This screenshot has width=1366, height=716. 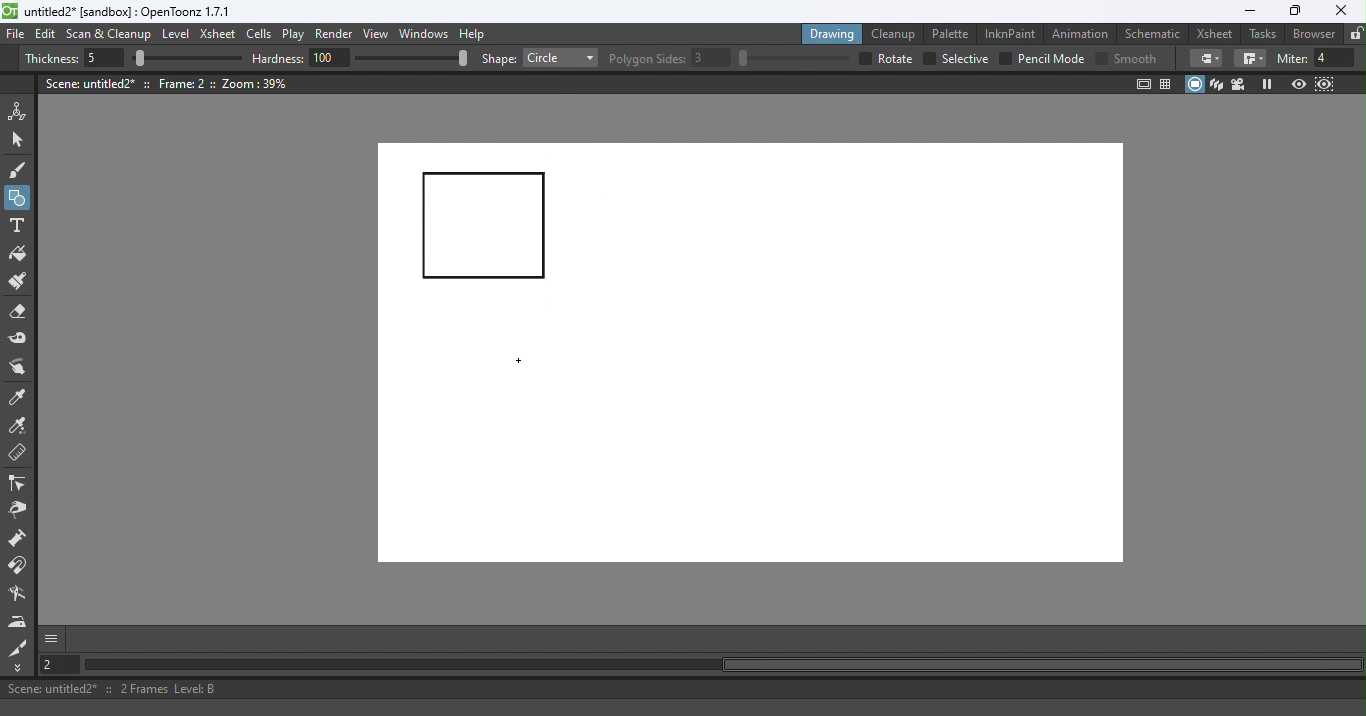 What do you see at coordinates (834, 33) in the screenshot?
I see `Drawing` at bounding box center [834, 33].